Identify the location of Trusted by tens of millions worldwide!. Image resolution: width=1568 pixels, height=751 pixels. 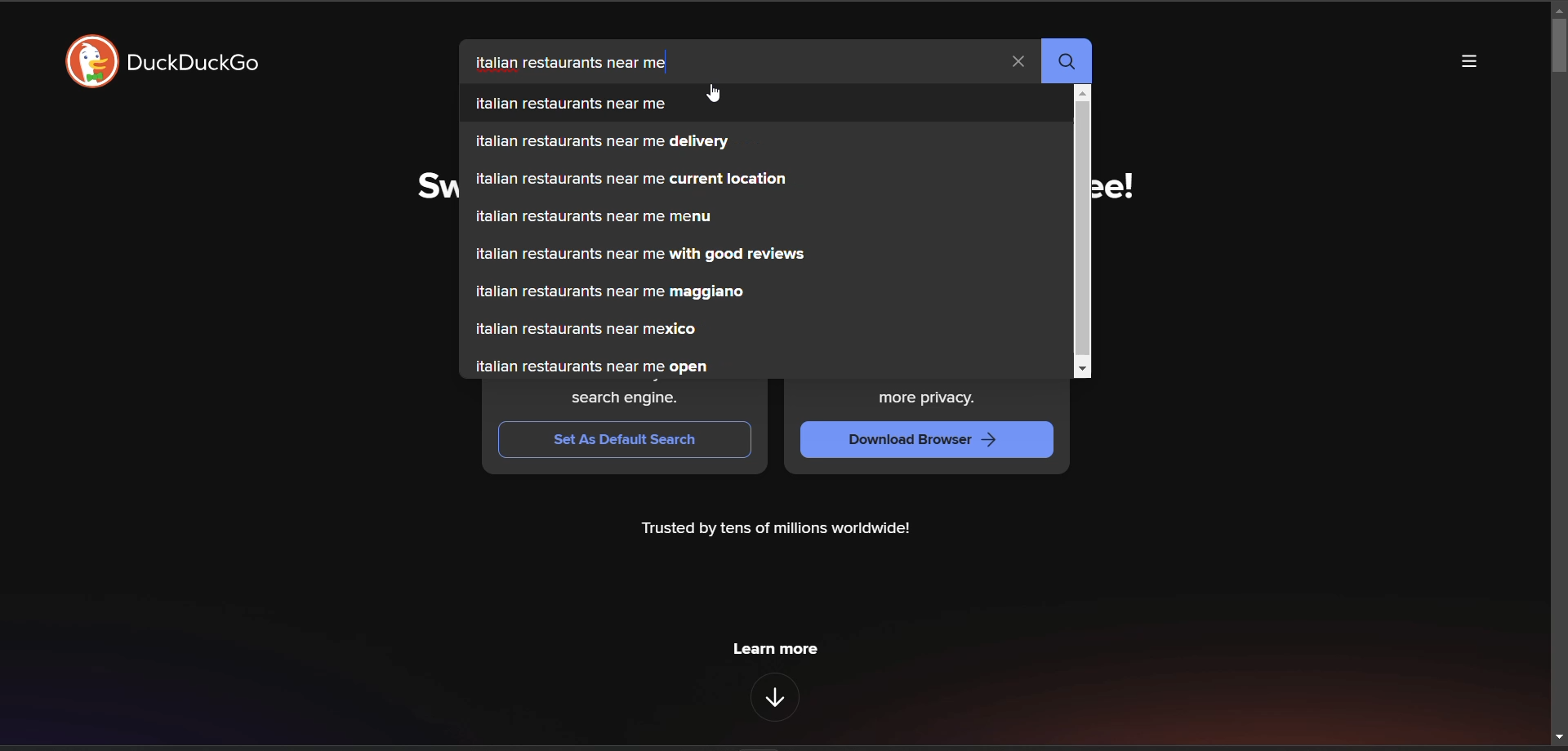
(775, 529).